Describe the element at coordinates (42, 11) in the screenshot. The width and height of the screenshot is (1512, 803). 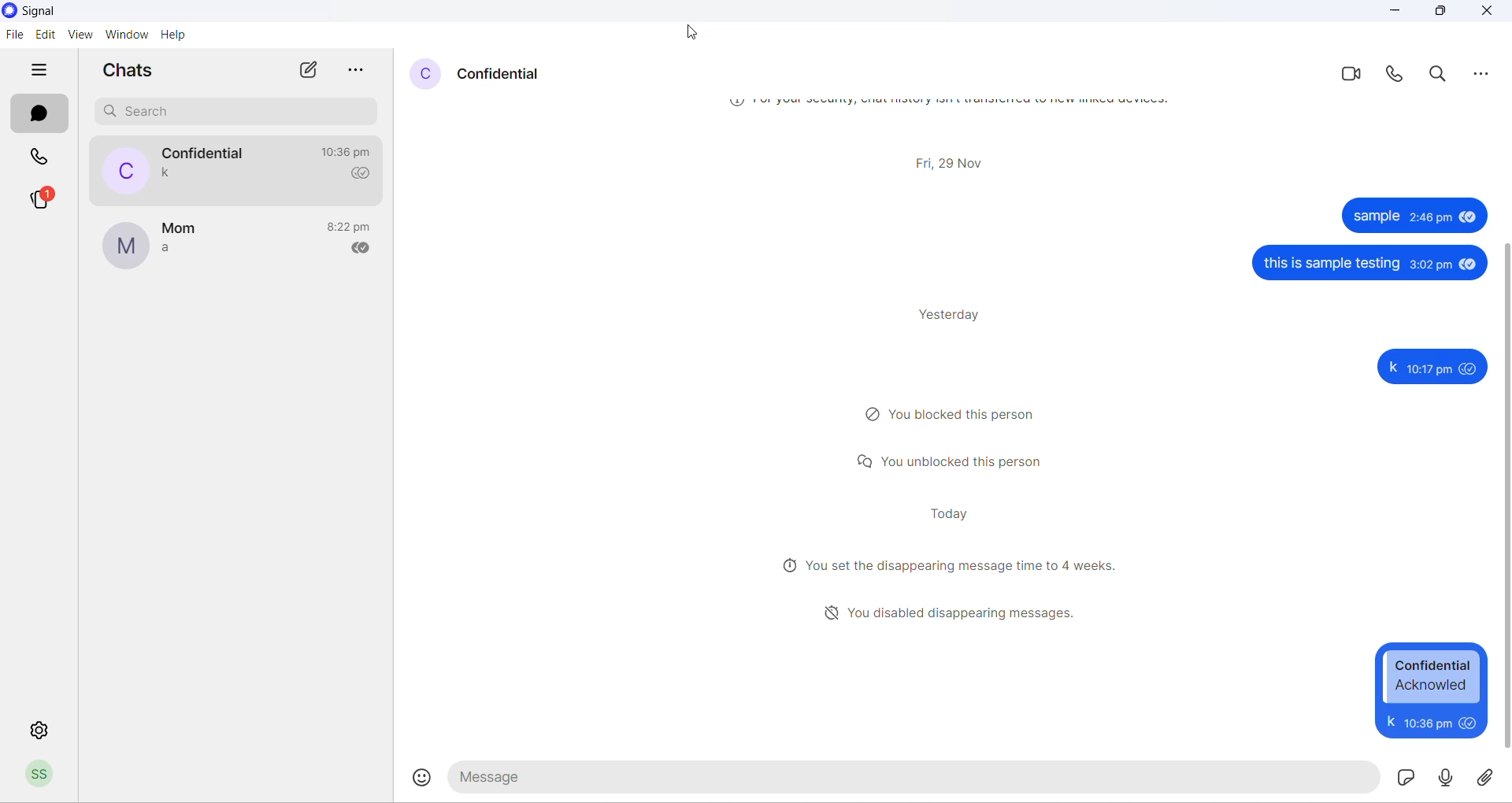
I see `Signal logo` at that location.